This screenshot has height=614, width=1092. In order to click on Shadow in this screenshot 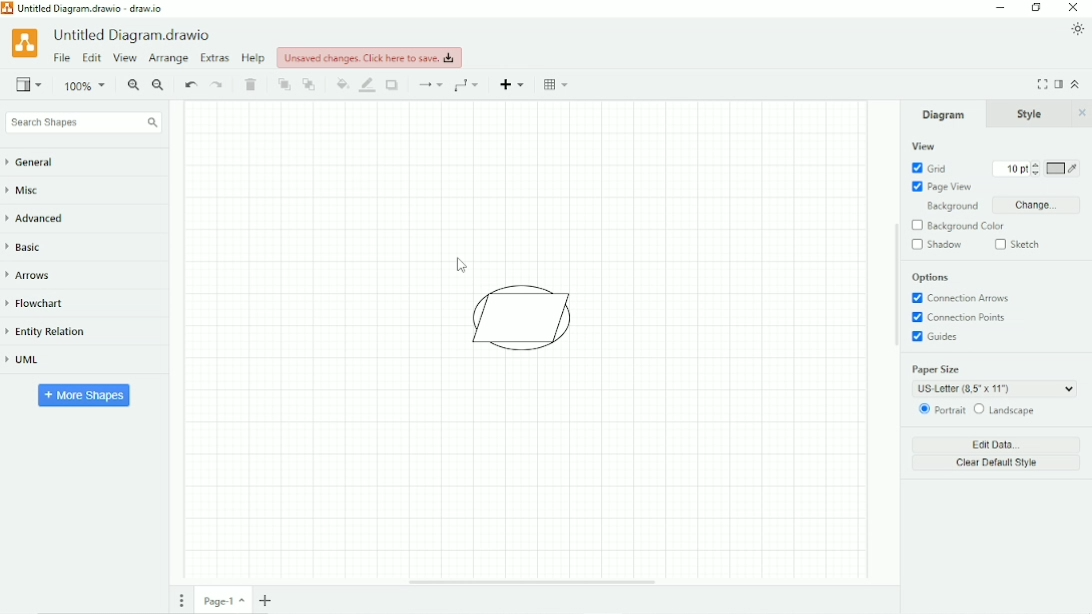, I will do `click(394, 85)`.